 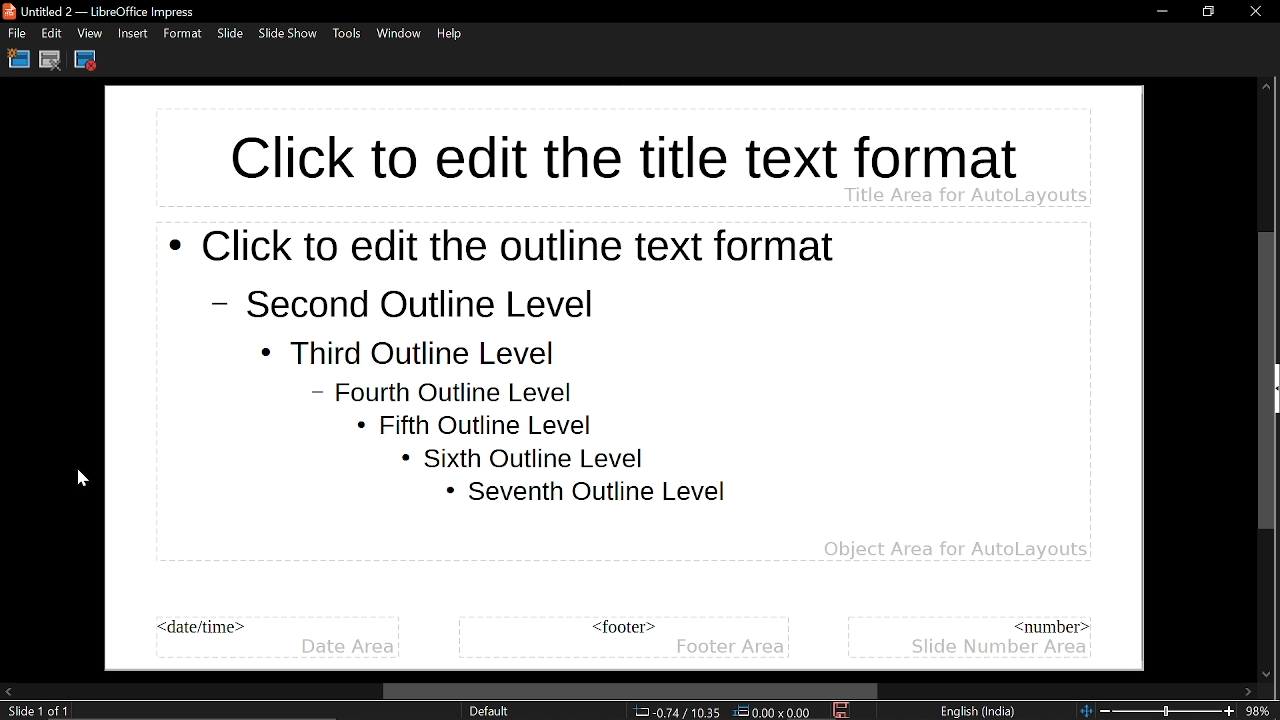 I want to click on Format, so click(x=182, y=35).